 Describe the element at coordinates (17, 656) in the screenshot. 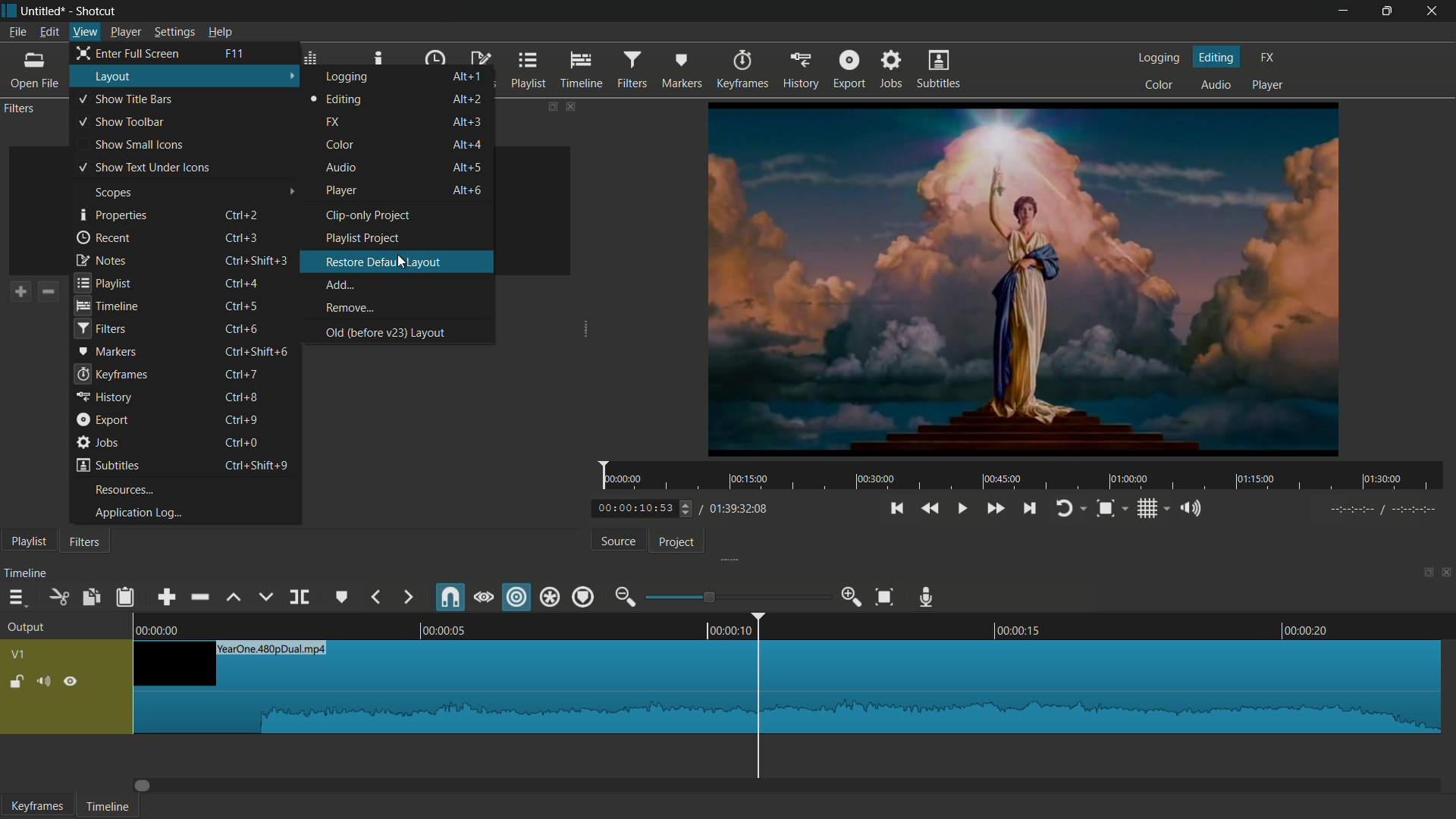

I see `v1` at that location.